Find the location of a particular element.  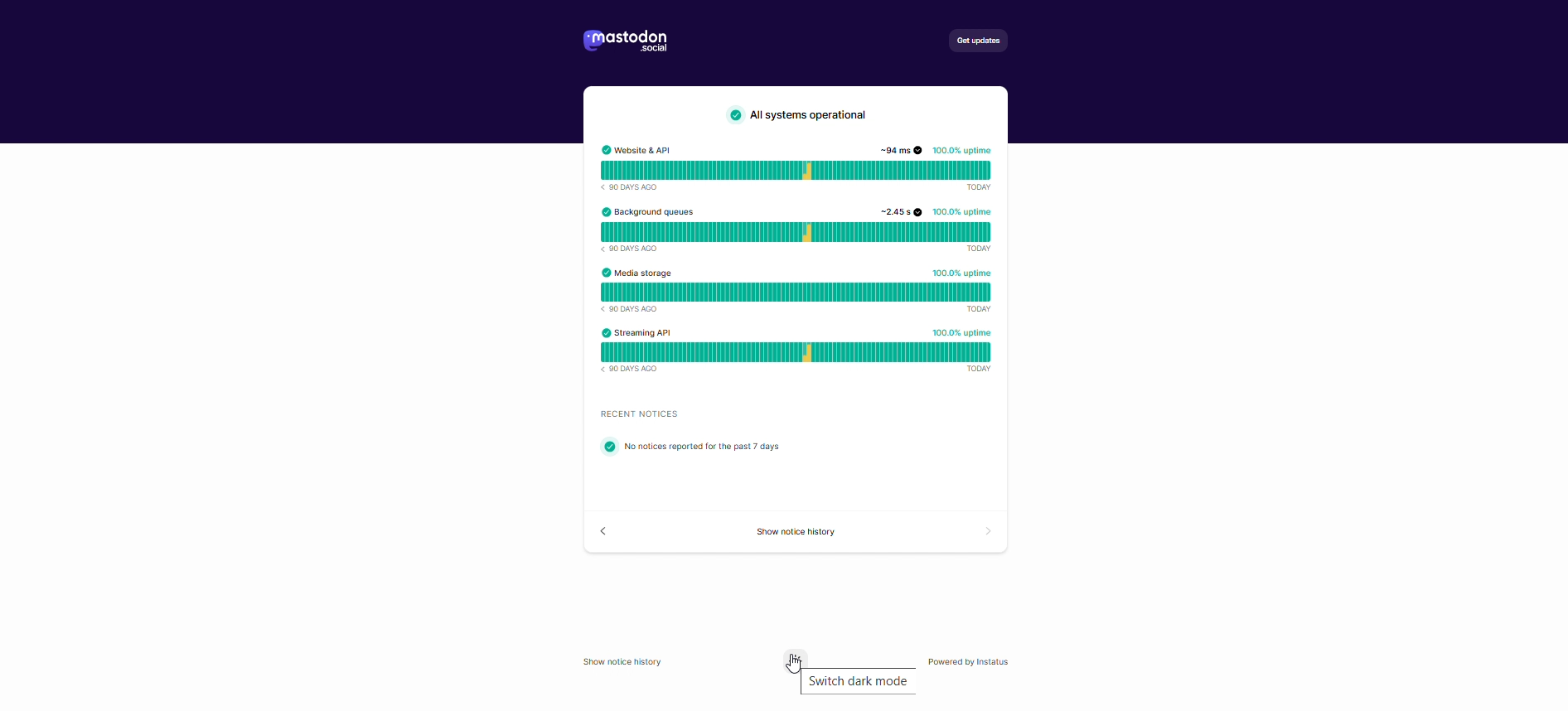

background queues is located at coordinates (798, 229).